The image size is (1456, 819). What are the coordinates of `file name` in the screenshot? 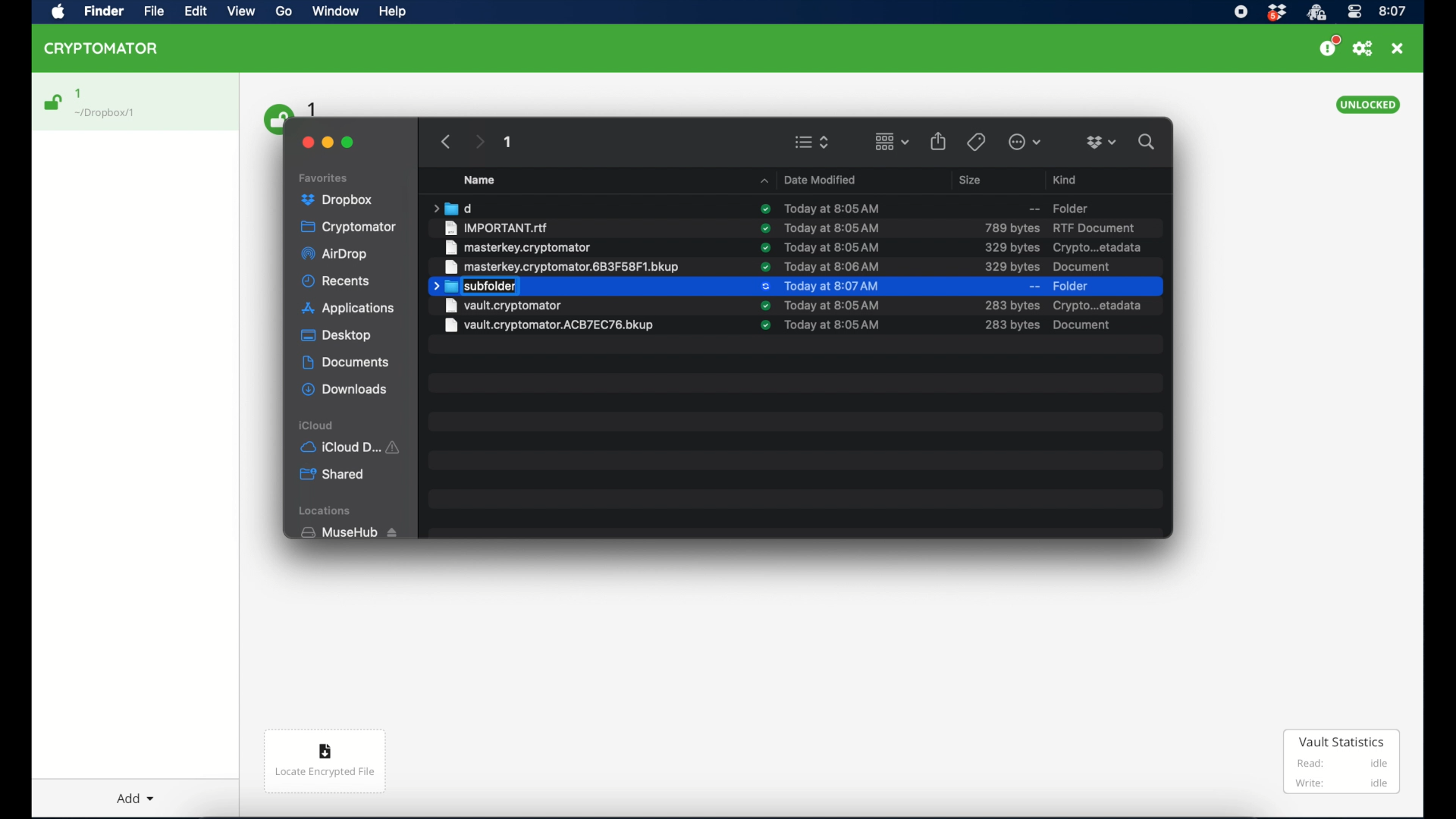 It's located at (560, 266).